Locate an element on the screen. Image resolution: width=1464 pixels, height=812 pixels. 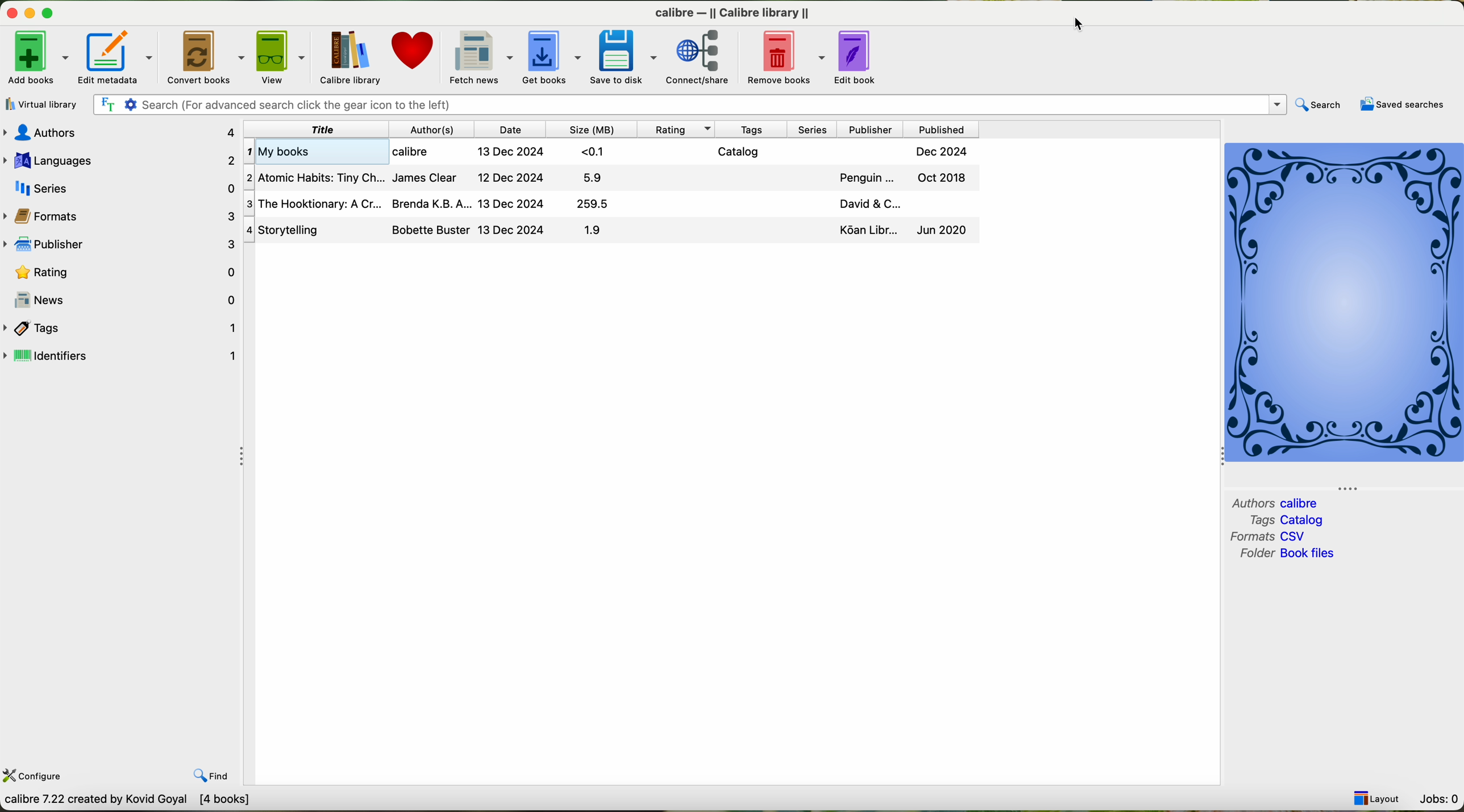
configure is located at coordinates (36, 778).